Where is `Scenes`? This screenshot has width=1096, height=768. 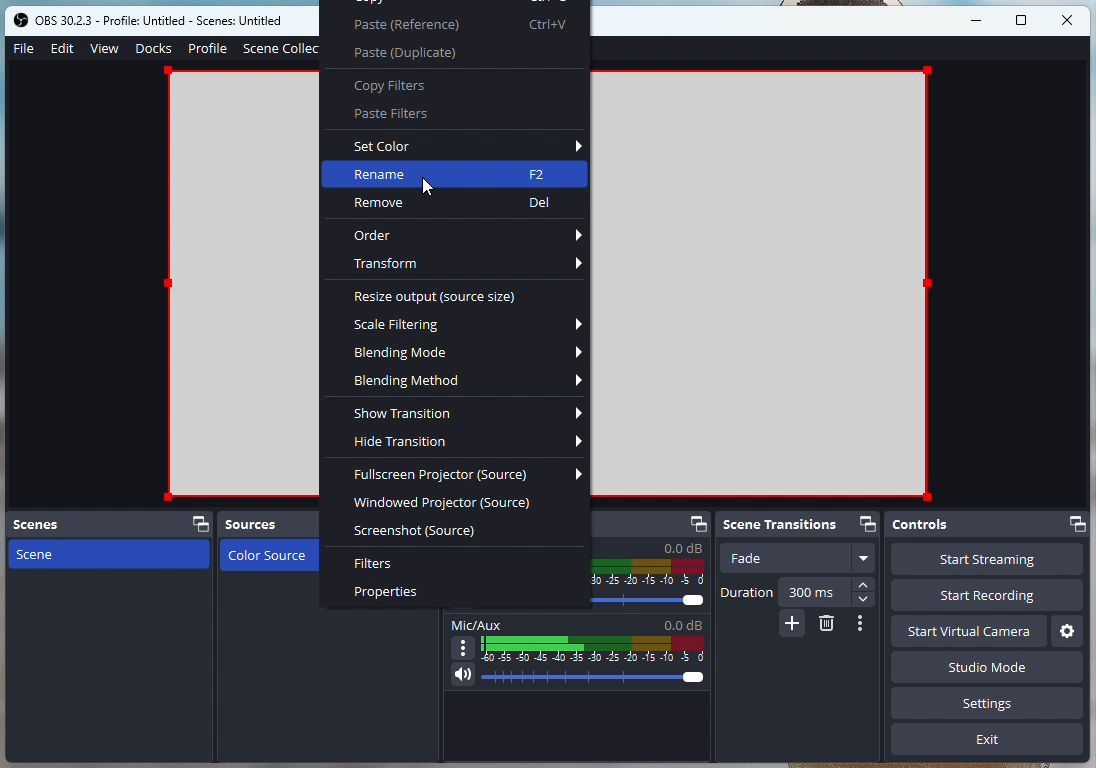
Scenes is located at coordinates (109, 524).